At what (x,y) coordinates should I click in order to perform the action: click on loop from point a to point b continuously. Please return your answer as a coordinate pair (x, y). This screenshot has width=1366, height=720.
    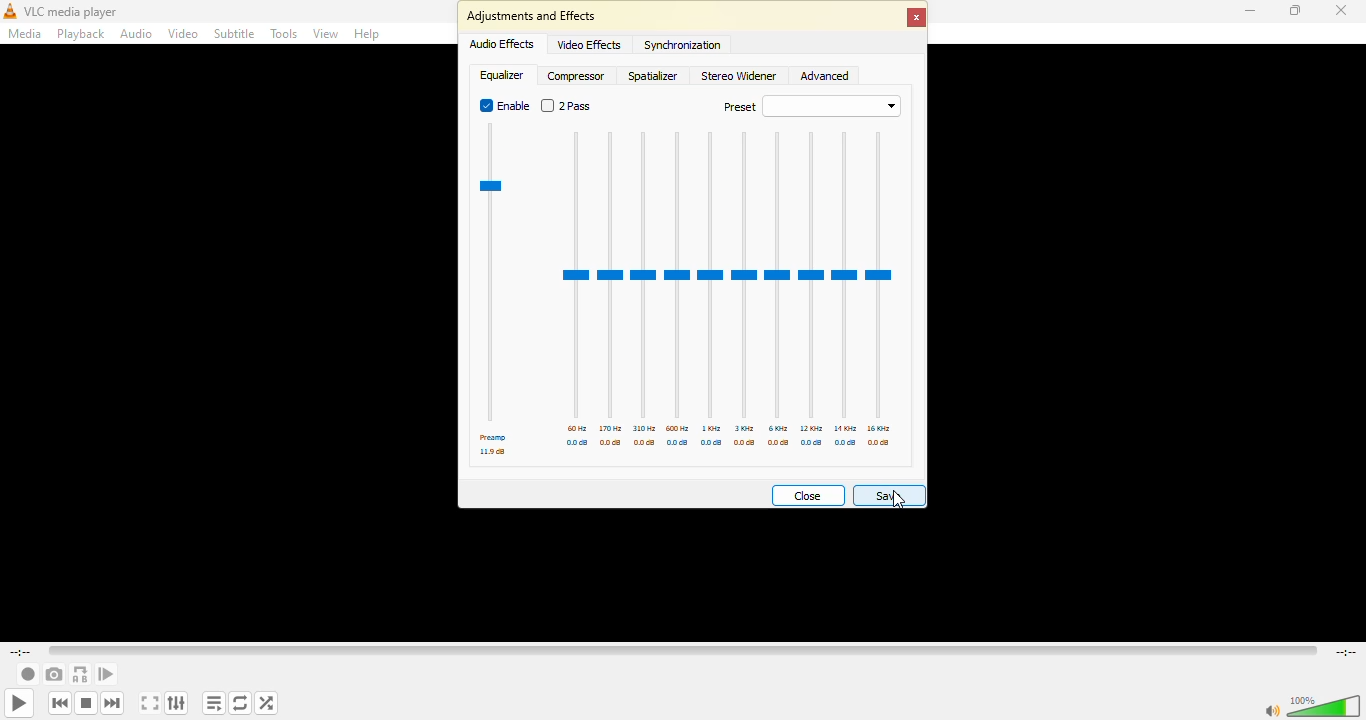
    Looking at the image, I should click on (79, 673).